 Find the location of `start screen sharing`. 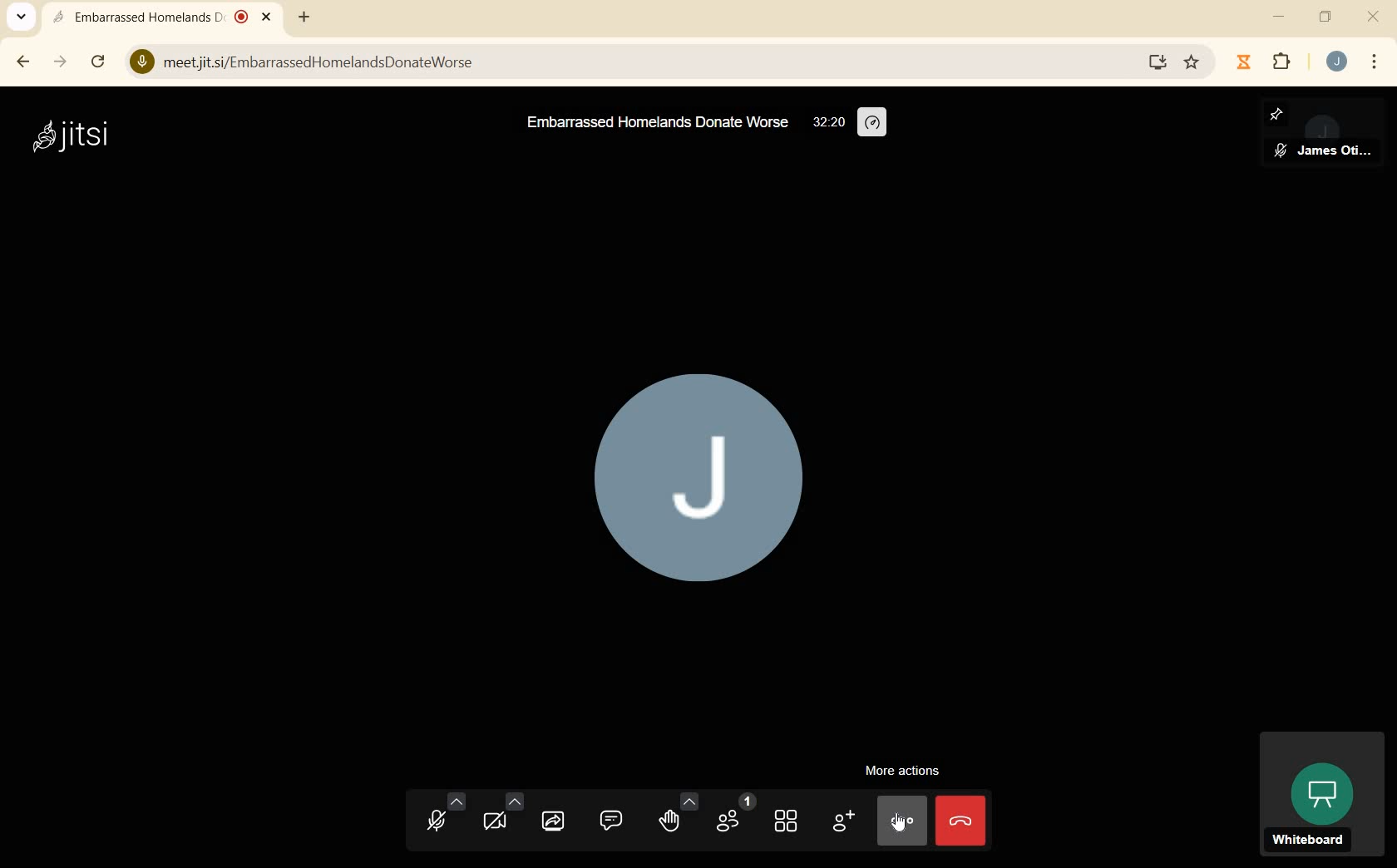

start screen sharing is located at coordinates (554, 822).